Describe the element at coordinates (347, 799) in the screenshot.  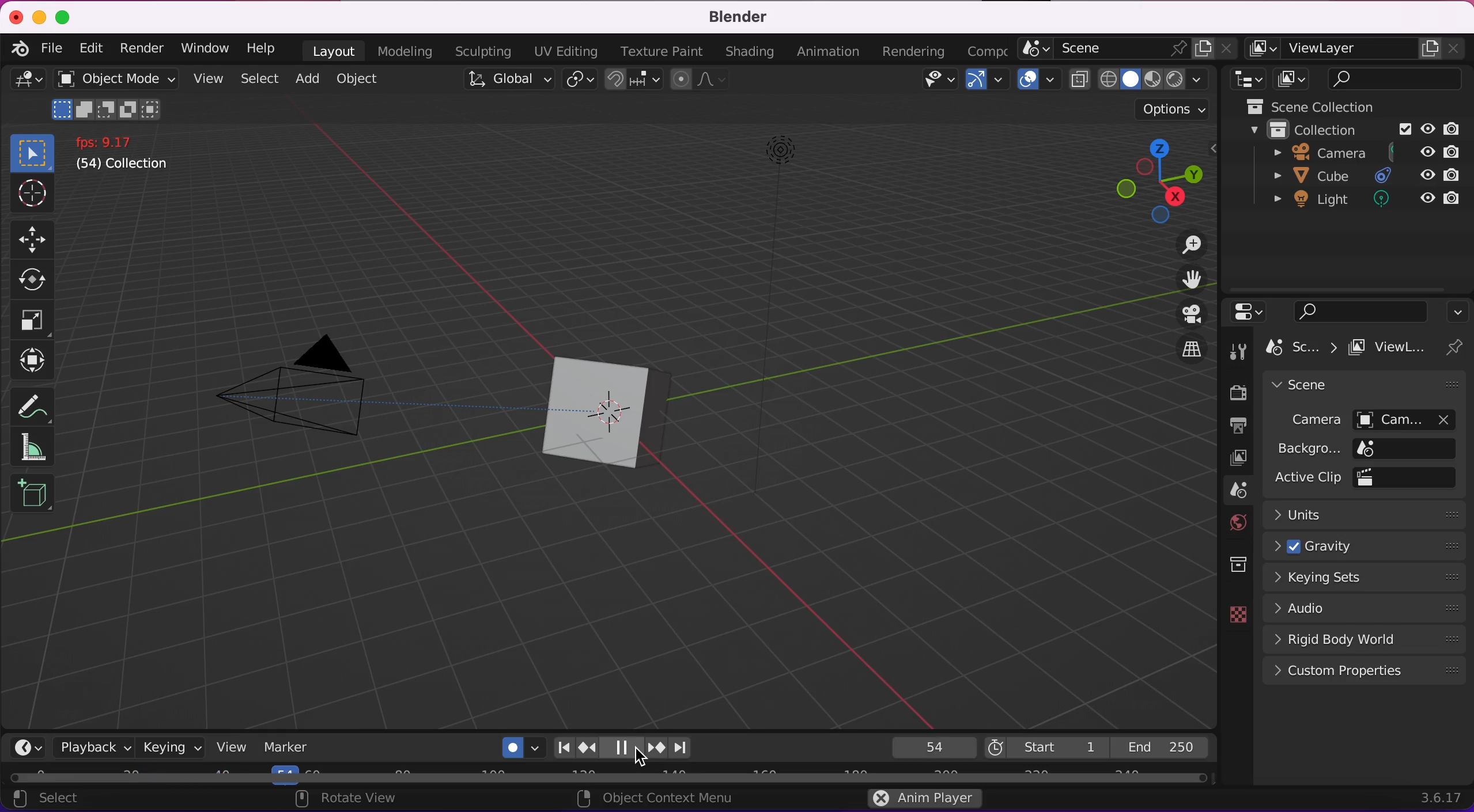
I see `rotate view` at that location.